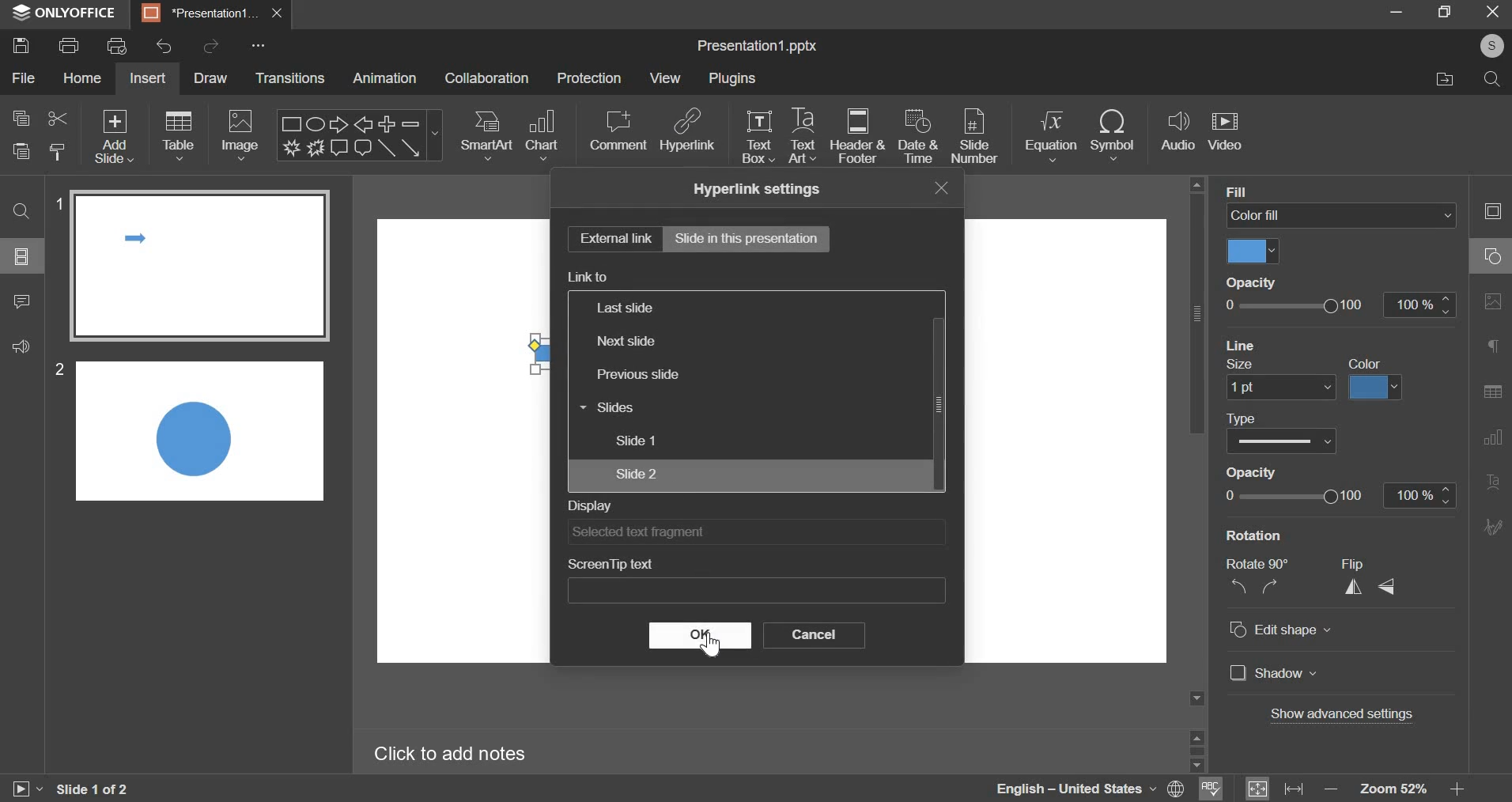  I want to click on increase zoom, so click(1457, 788).